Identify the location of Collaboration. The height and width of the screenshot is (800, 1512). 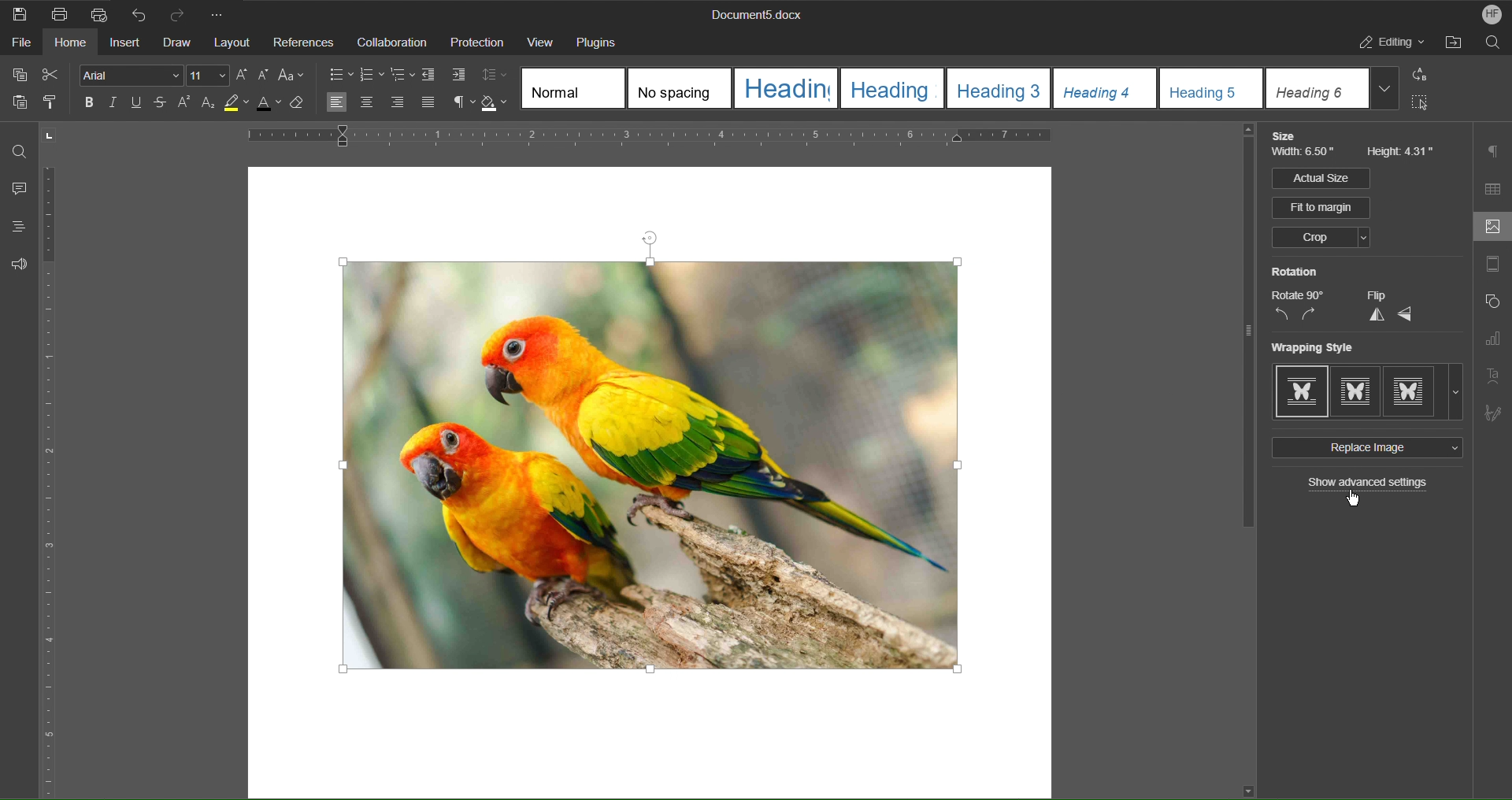
(390, 42).